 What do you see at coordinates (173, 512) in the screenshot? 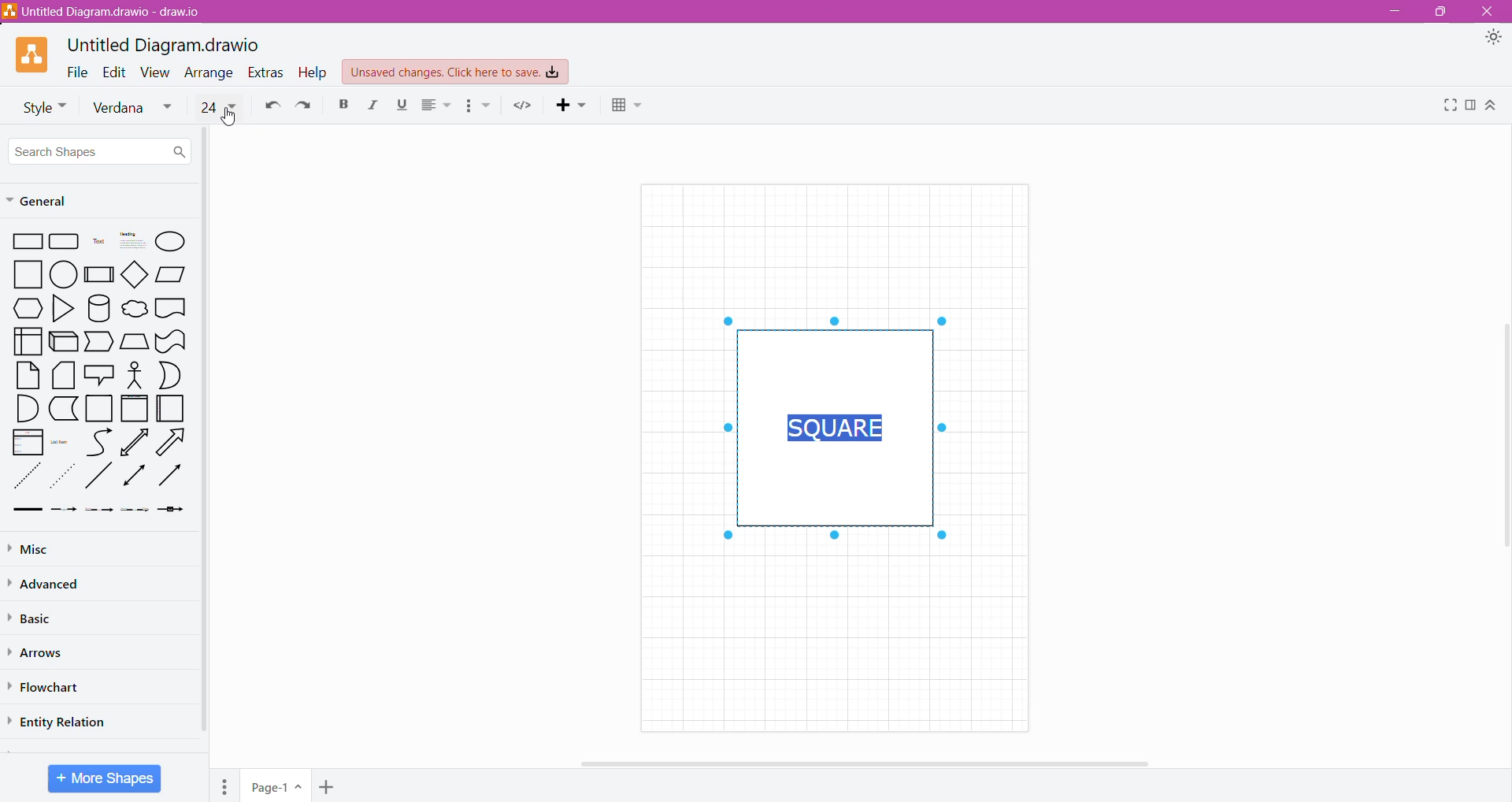
I see `Arrow with a Box ` at bounding box center [173, 512].